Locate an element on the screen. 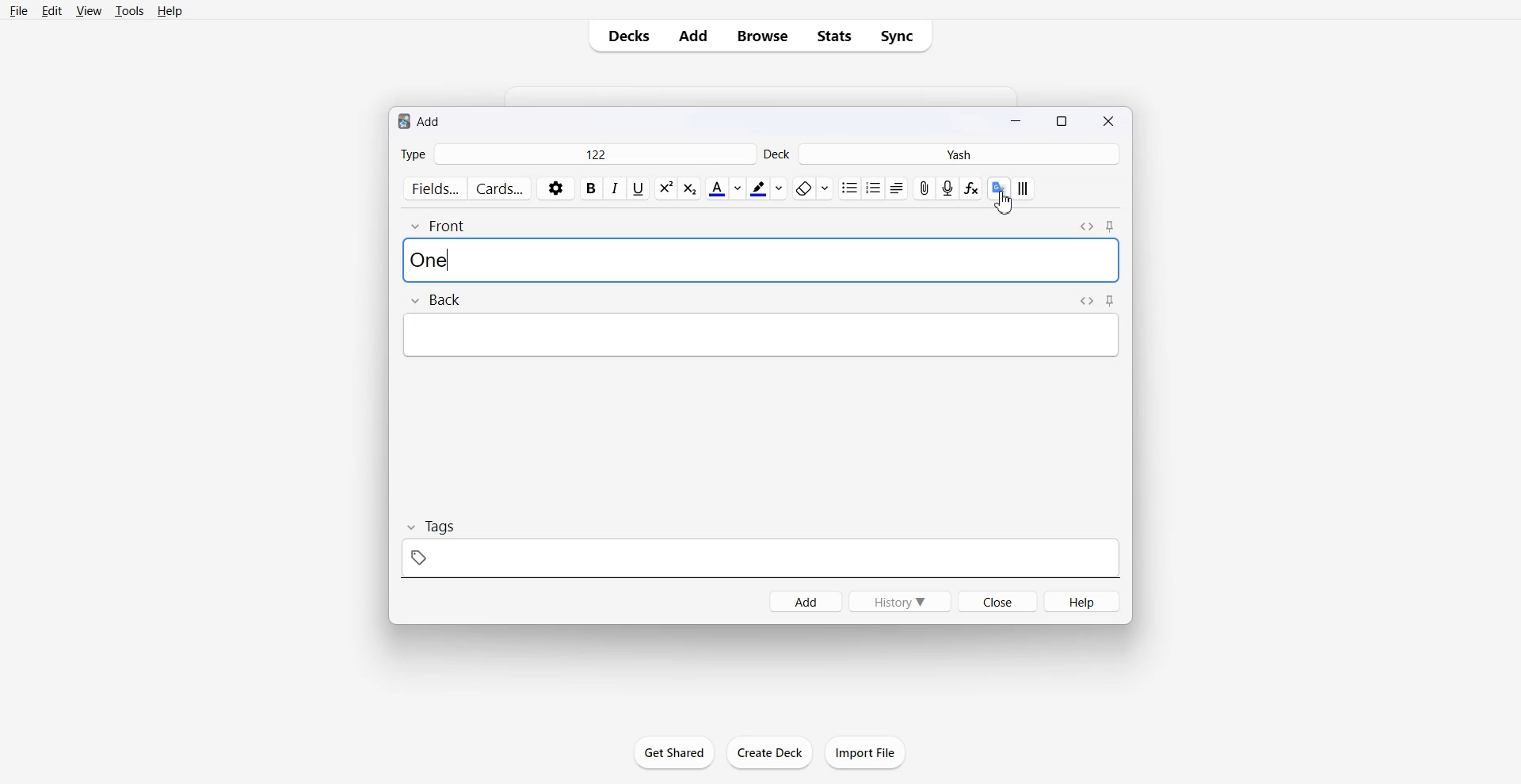 The image size is (1521, 784). Order list is located at coordinates (873, 188).